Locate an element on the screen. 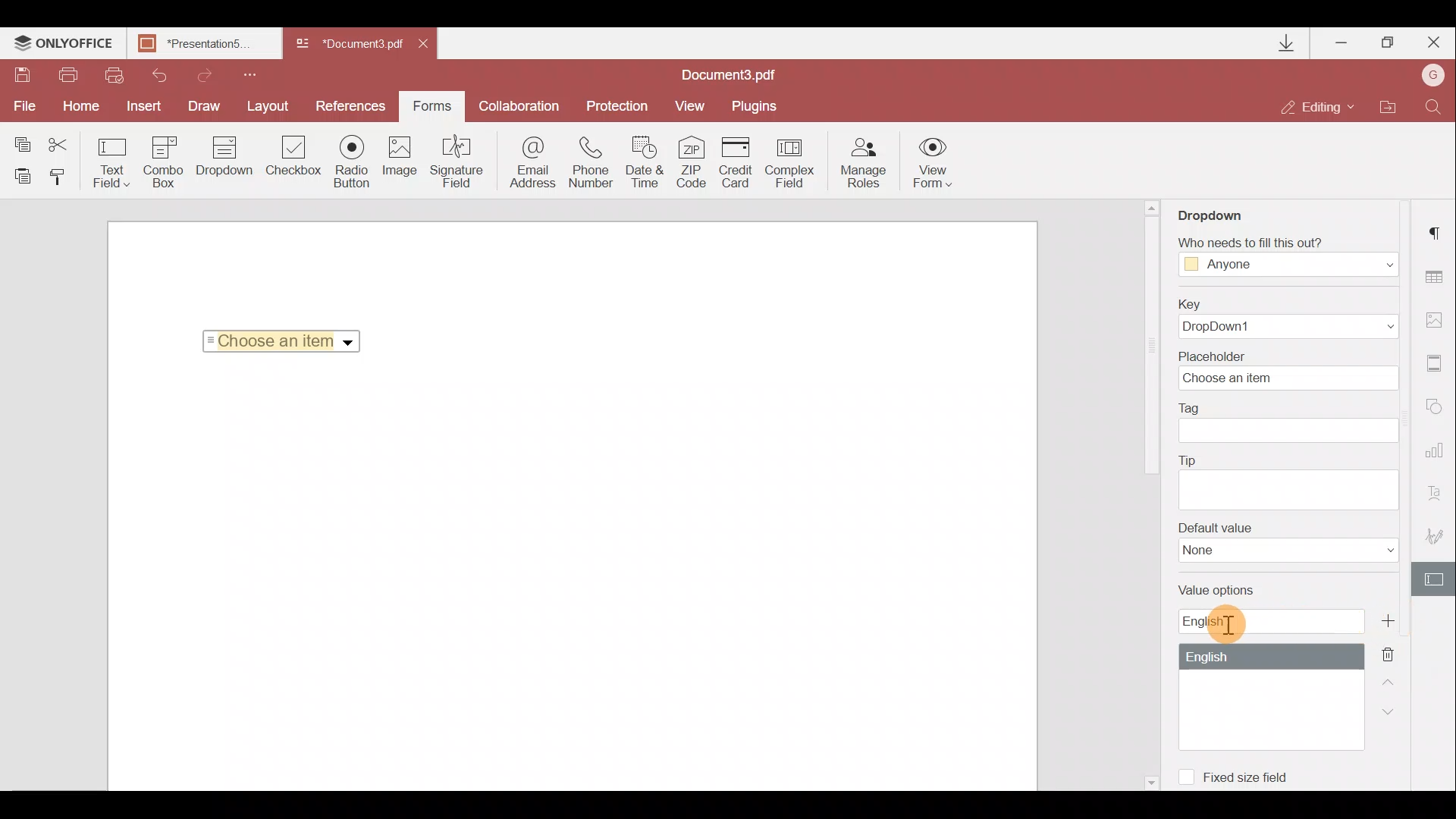 The height and width of the screenshot is (819, 1456). Signature settings is located at coordinates (1438, 540).